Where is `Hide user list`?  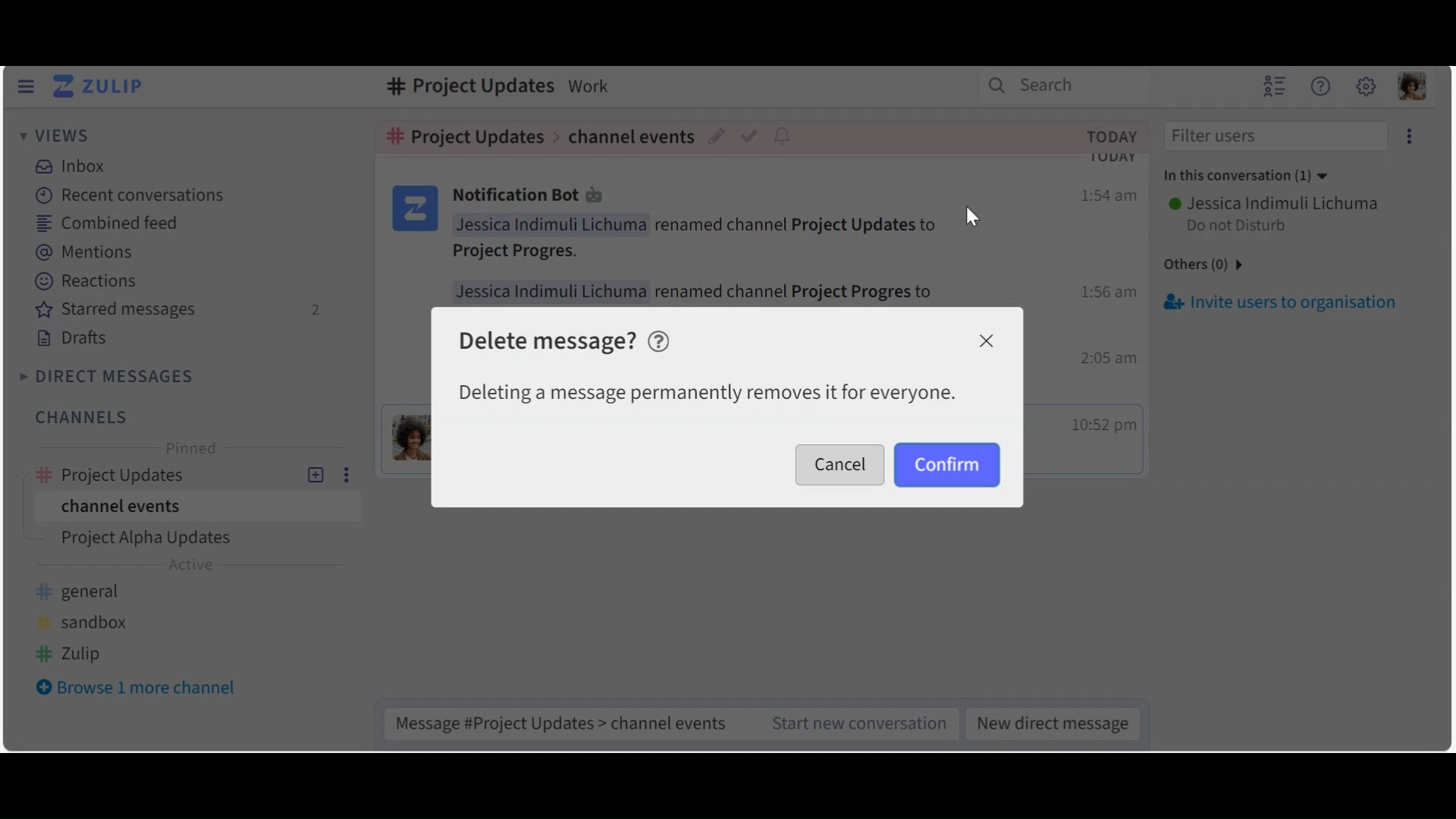 Hide user list is located at coordinates (1272, 86).